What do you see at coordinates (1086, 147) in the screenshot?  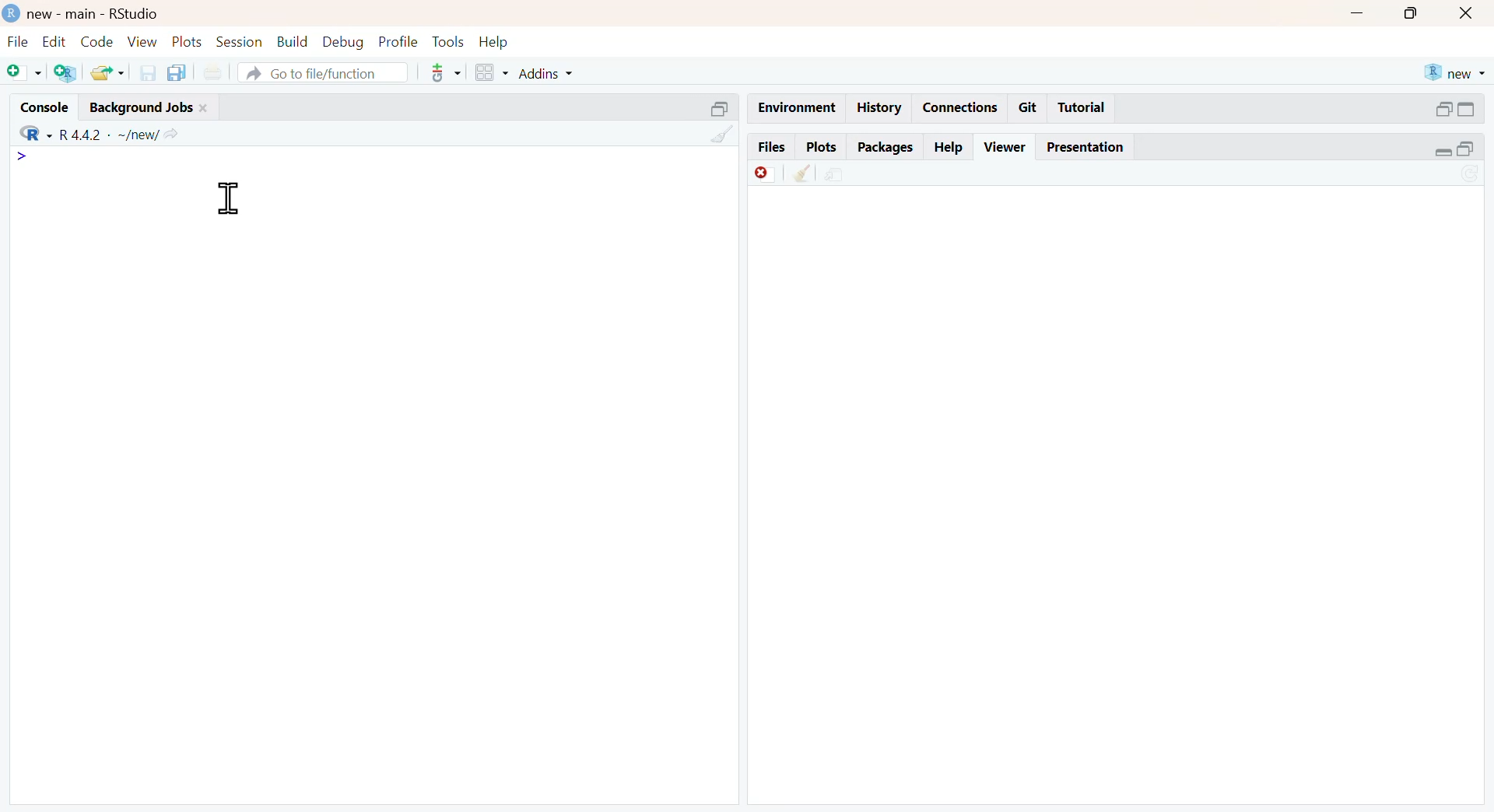 I see `presentation` at bounding box center [1086, 147].